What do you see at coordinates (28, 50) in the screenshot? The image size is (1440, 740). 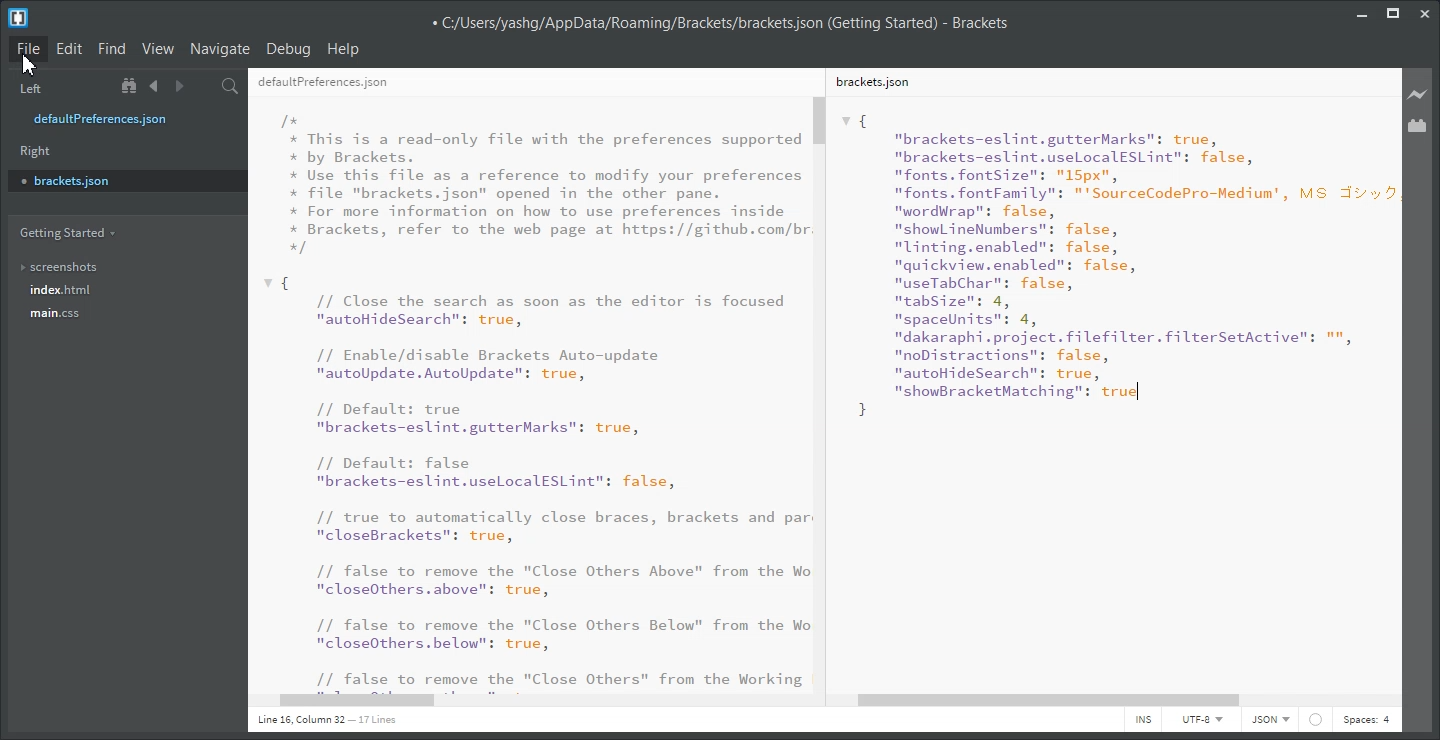 I see `File` at bounding box center [28, 50].